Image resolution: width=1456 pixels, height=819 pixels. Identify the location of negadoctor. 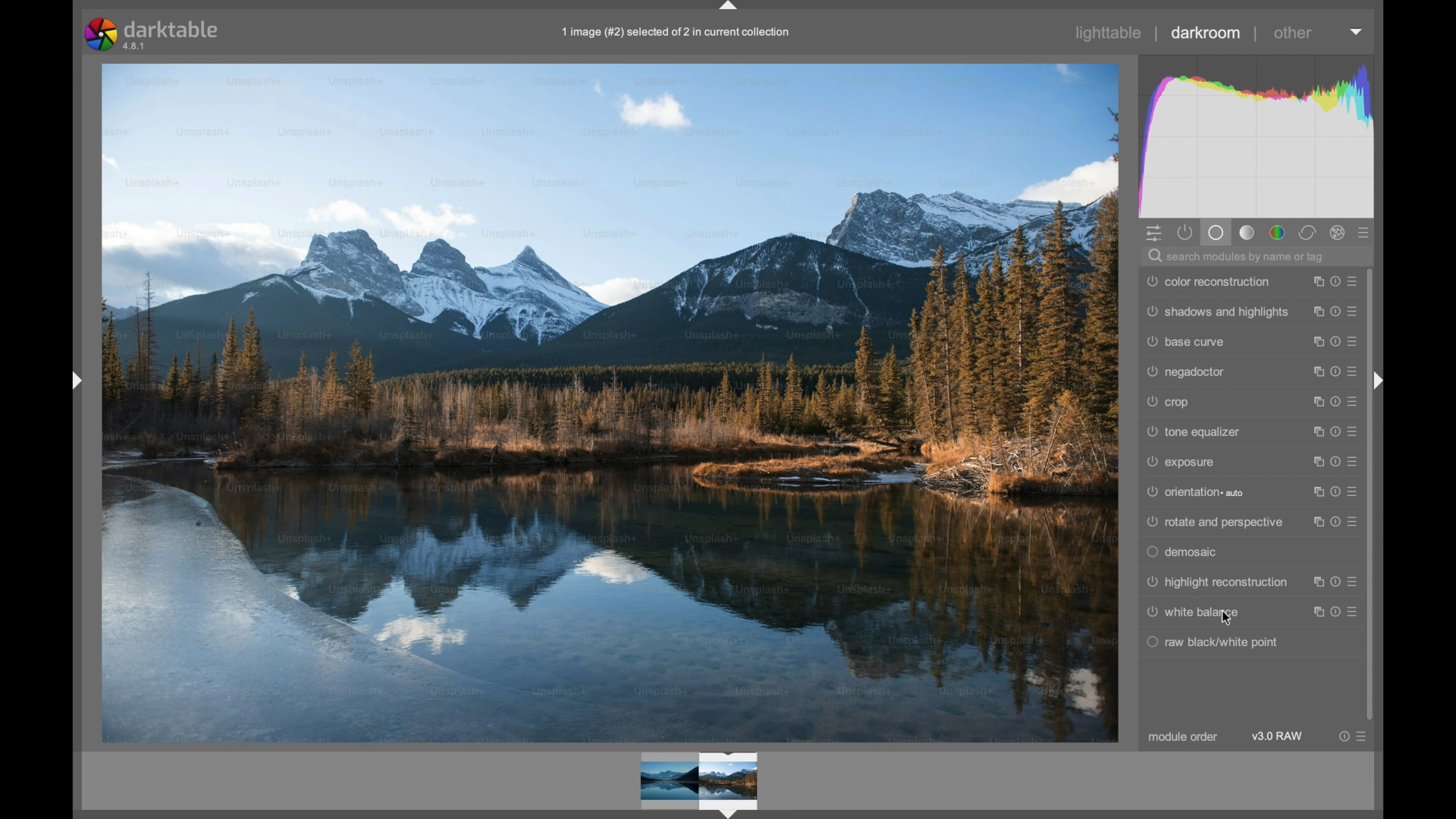
(1185, 372).